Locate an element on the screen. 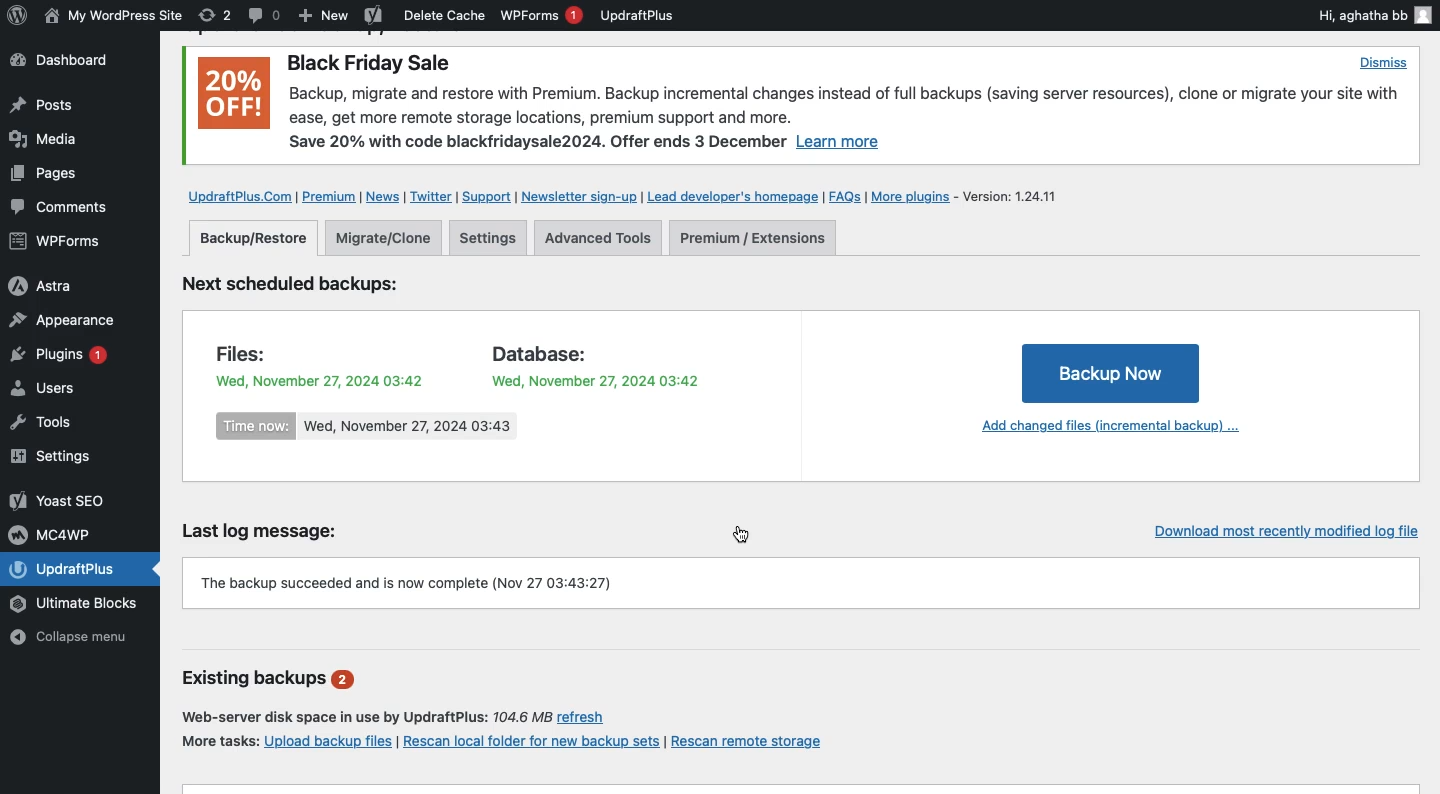 Image resolution: width=1440 pixels, height=794 pixels. Hi, aghatha bb is located at coordinates (1373, 14).